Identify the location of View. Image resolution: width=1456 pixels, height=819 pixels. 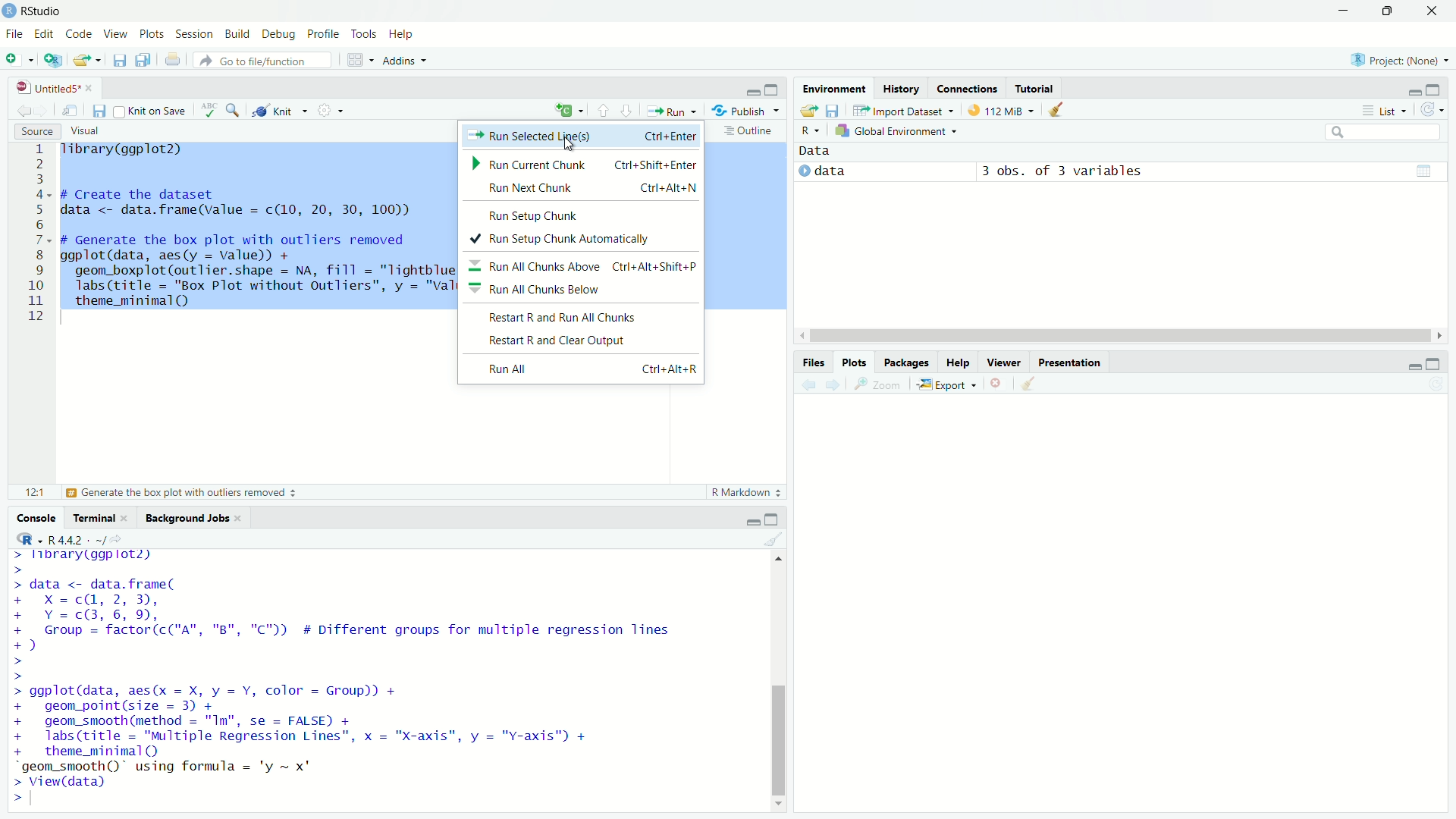
(114, 35).